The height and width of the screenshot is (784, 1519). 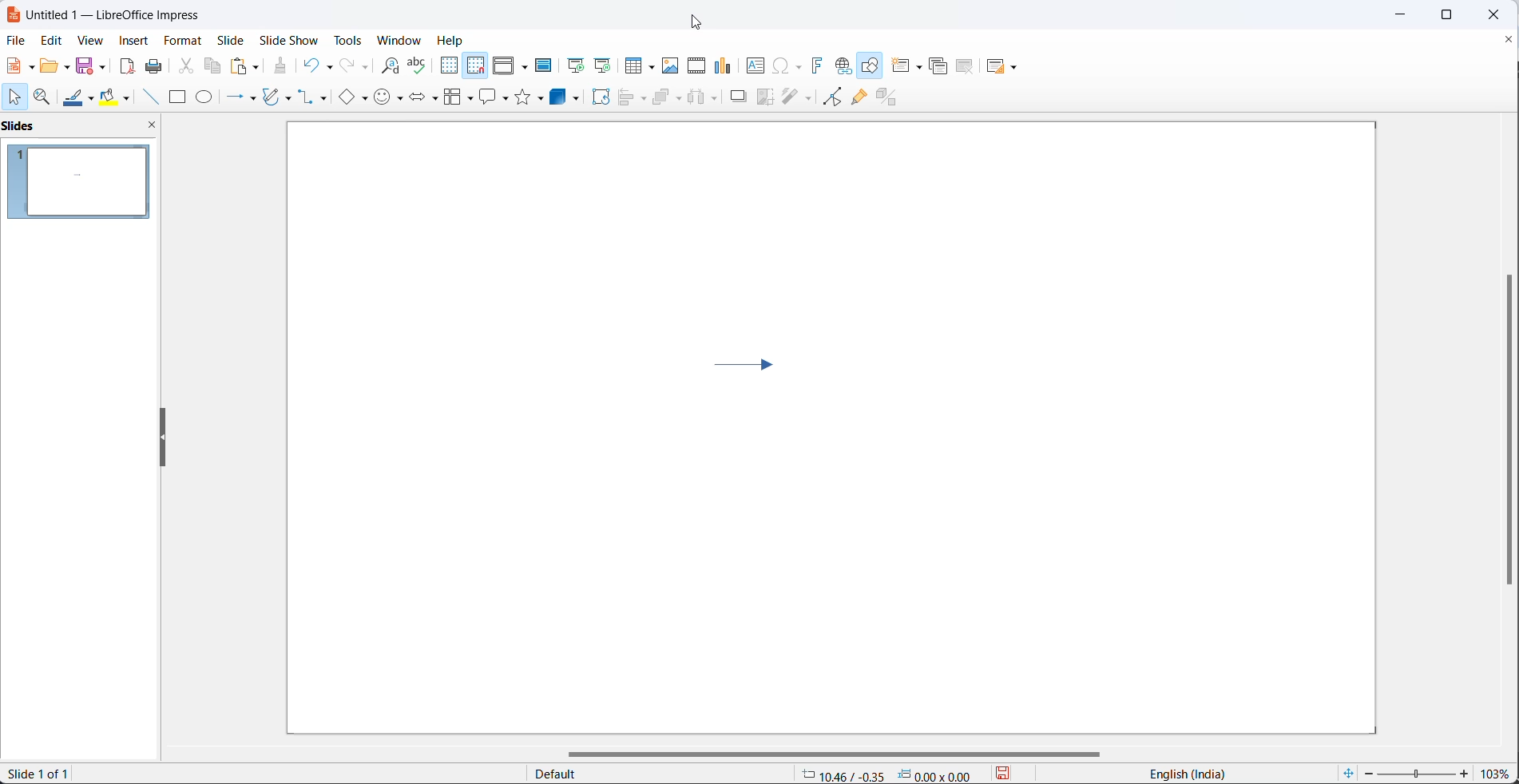 I want to click on close document, so click(x=1509, y=38).